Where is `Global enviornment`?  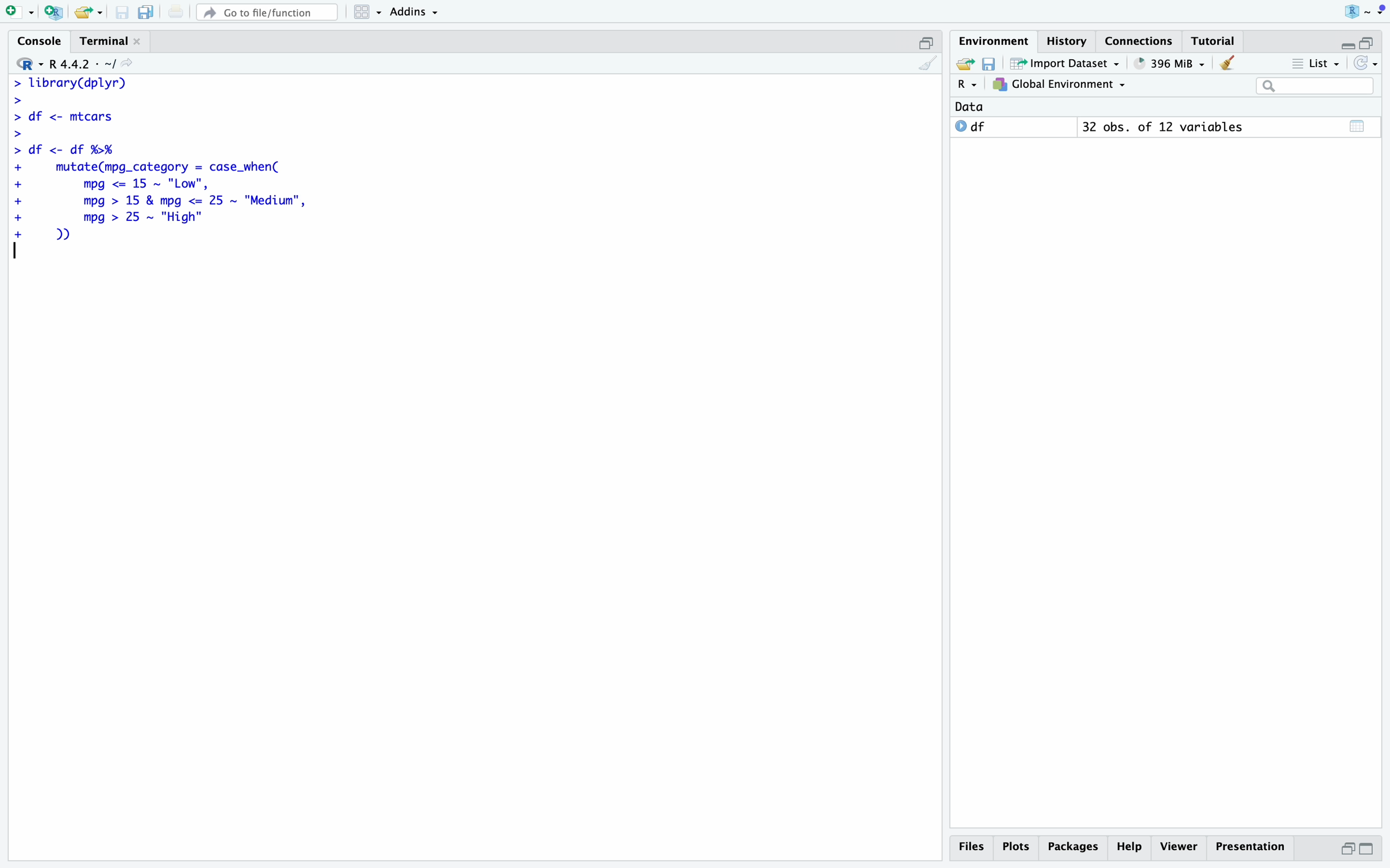 Global enviornment is located at coordinates (1059, 84).